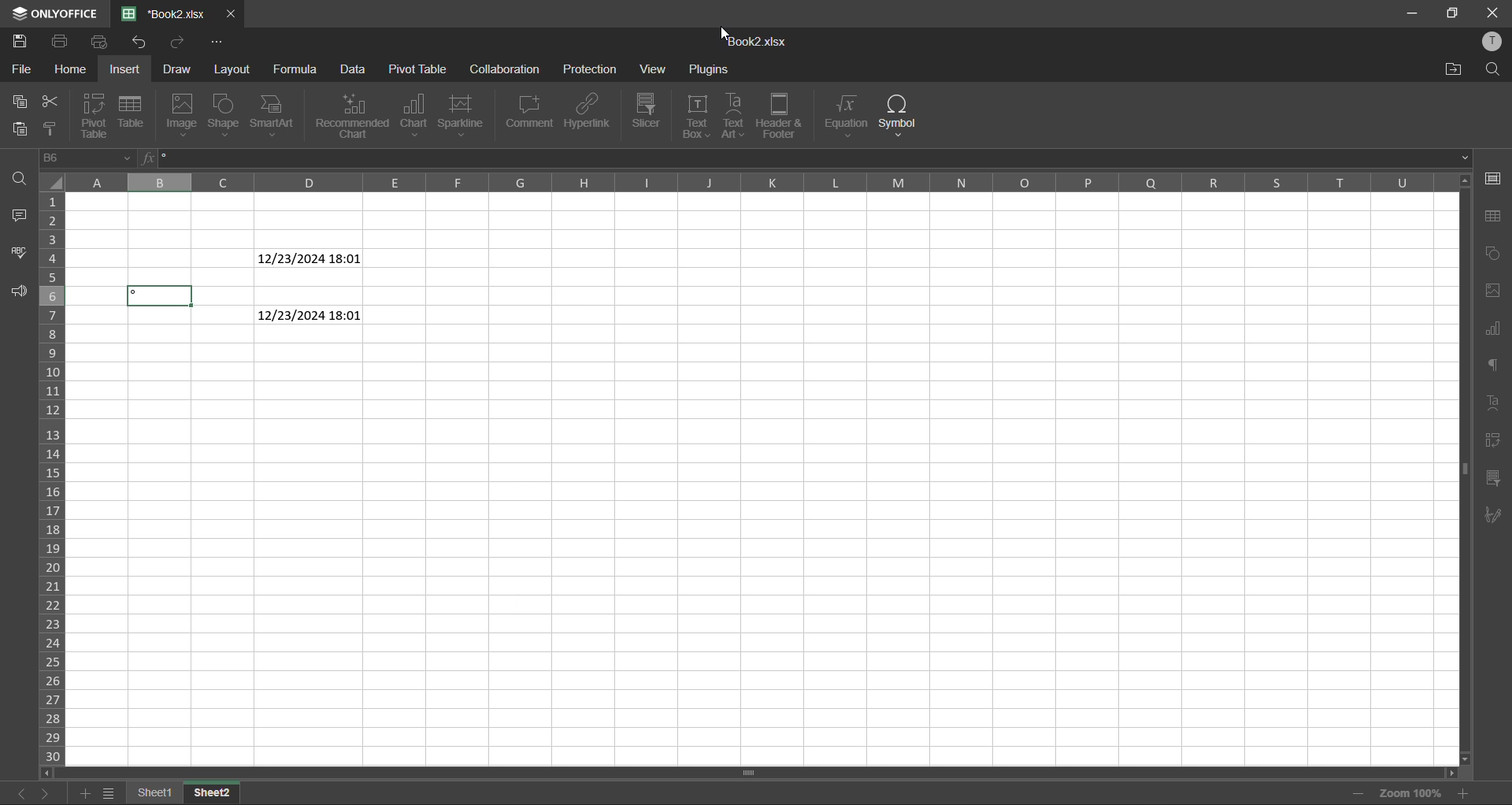 This screenshot has width=1512, height=805. I want to click on text art, so click(736, 117).